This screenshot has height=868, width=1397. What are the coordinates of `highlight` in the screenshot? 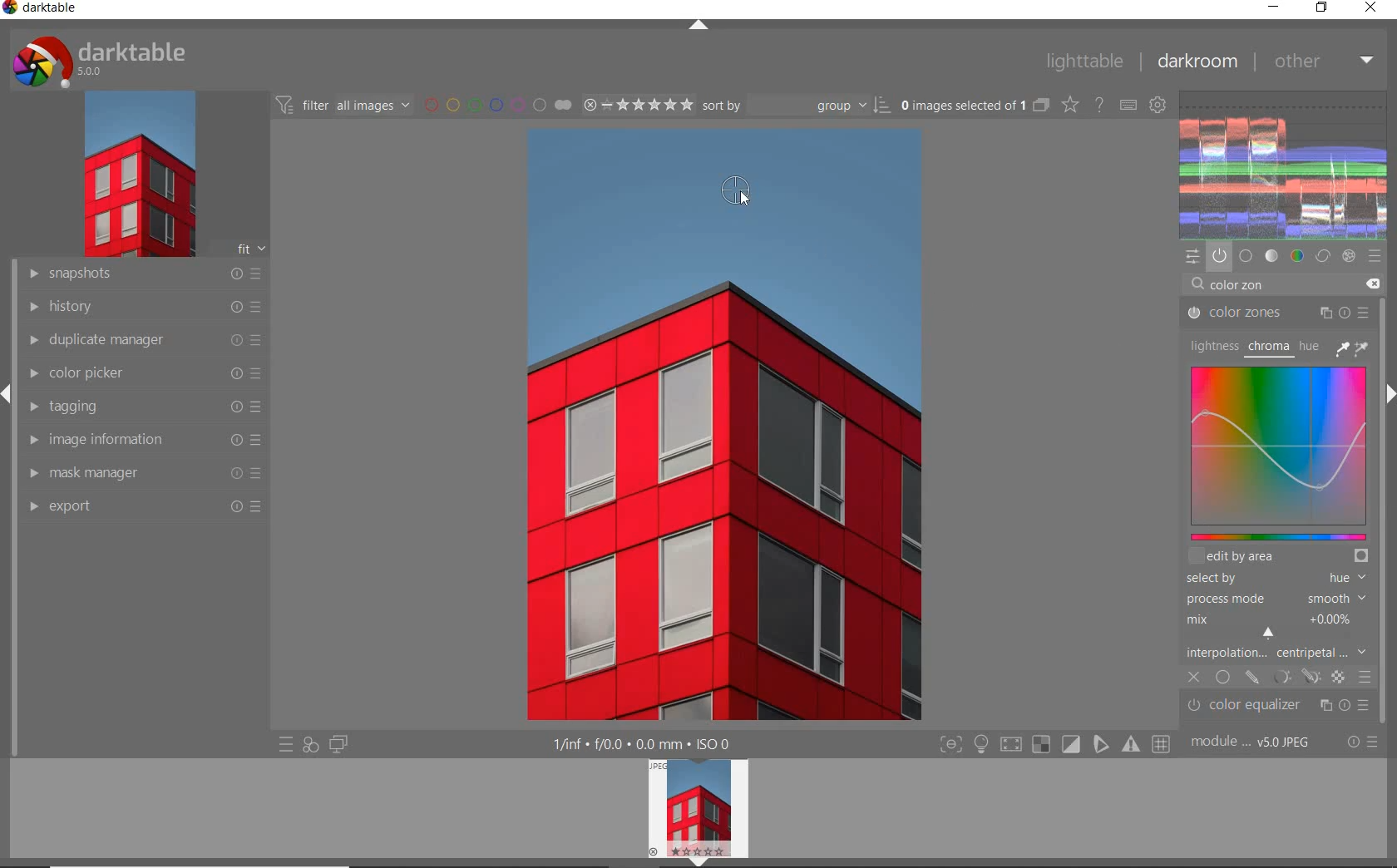 It's located at (983, 747).